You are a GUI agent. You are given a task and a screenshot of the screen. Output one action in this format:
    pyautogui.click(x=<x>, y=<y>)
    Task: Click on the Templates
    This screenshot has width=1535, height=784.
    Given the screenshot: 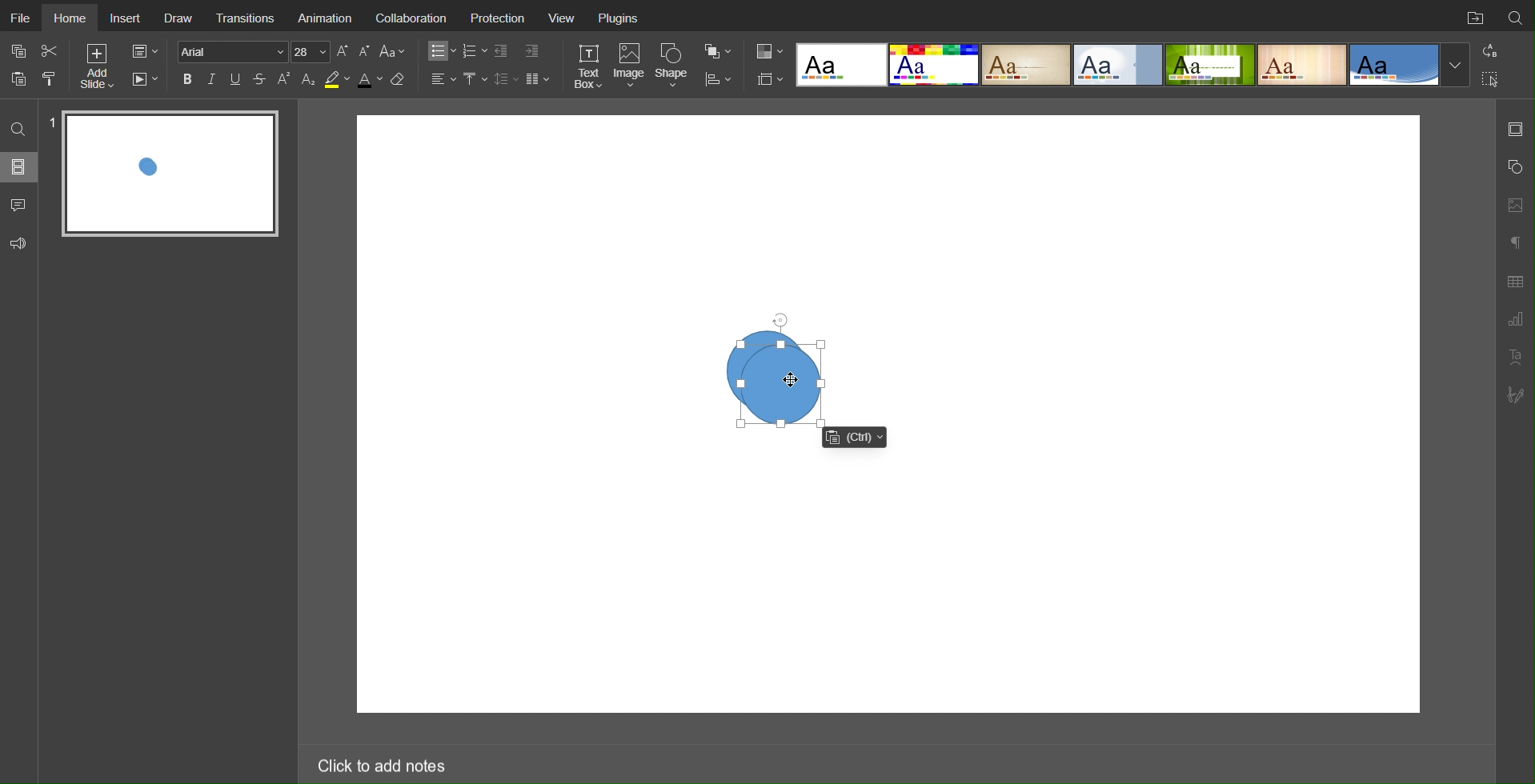 What is the action you would take?
    pyautogui.click(x=1134, y=63)
    